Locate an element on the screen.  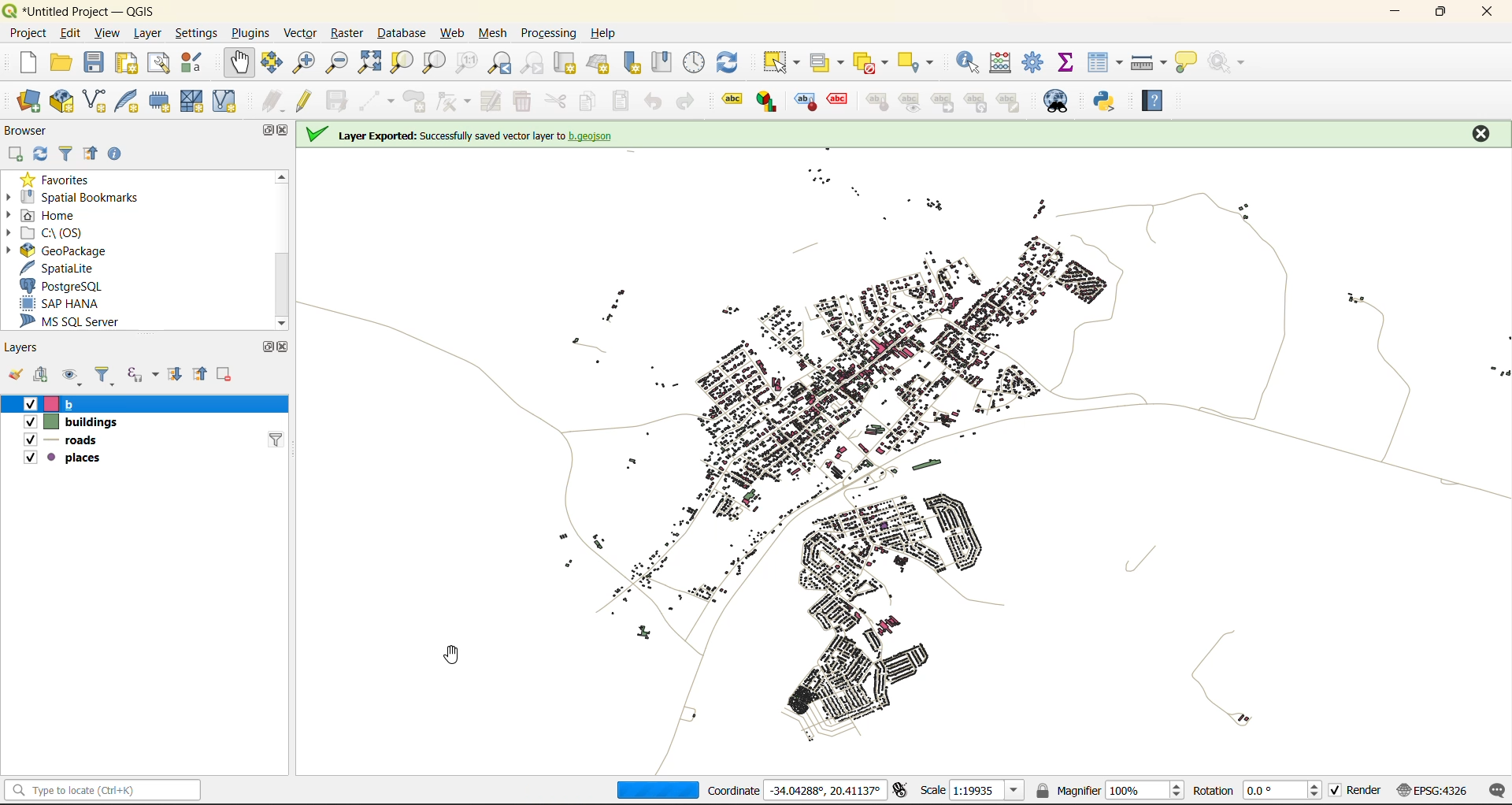
attributes table is located at coordinates (1105, 64).